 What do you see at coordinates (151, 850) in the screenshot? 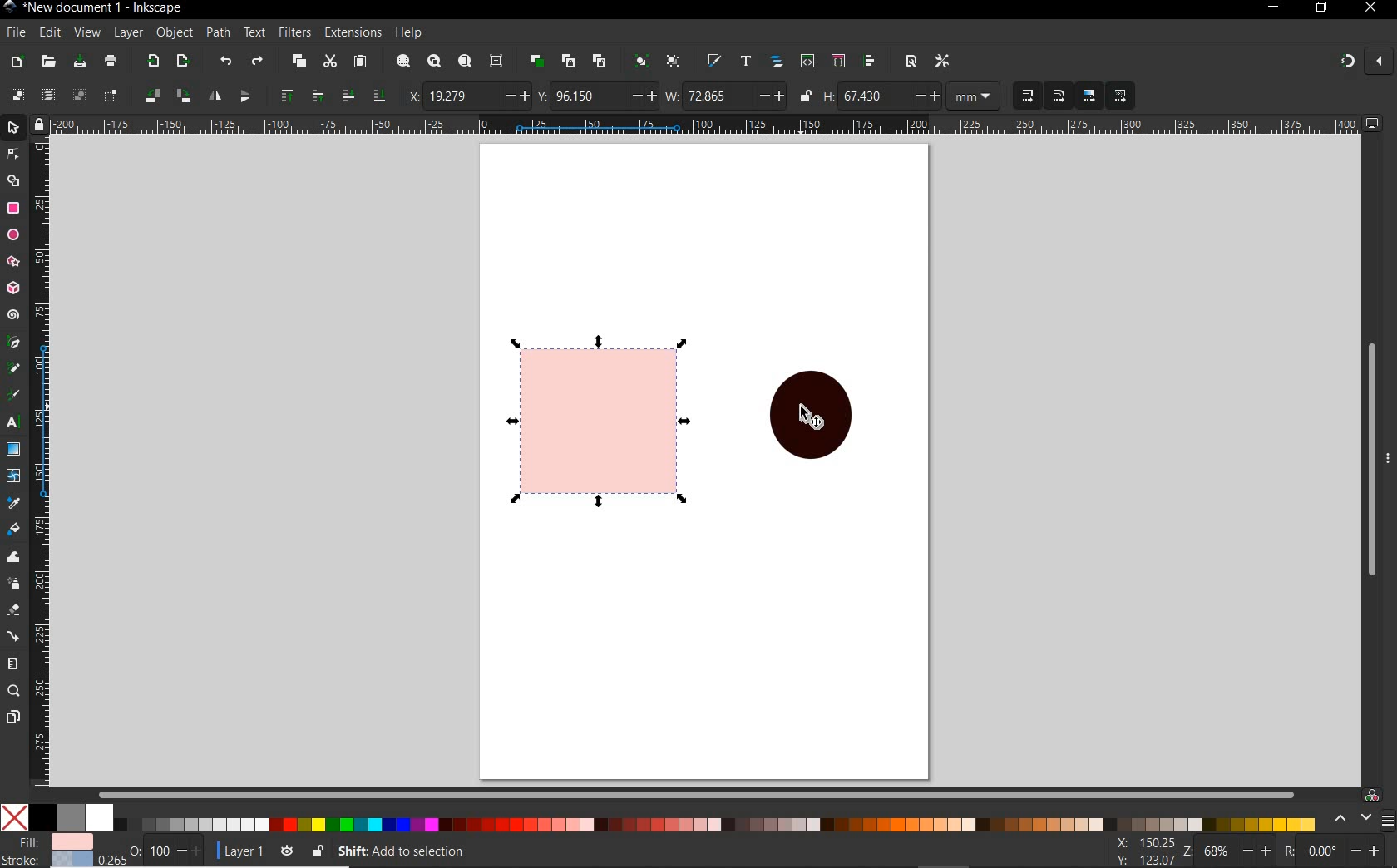
I see `OPACITY` at bounding box center [151, 850].